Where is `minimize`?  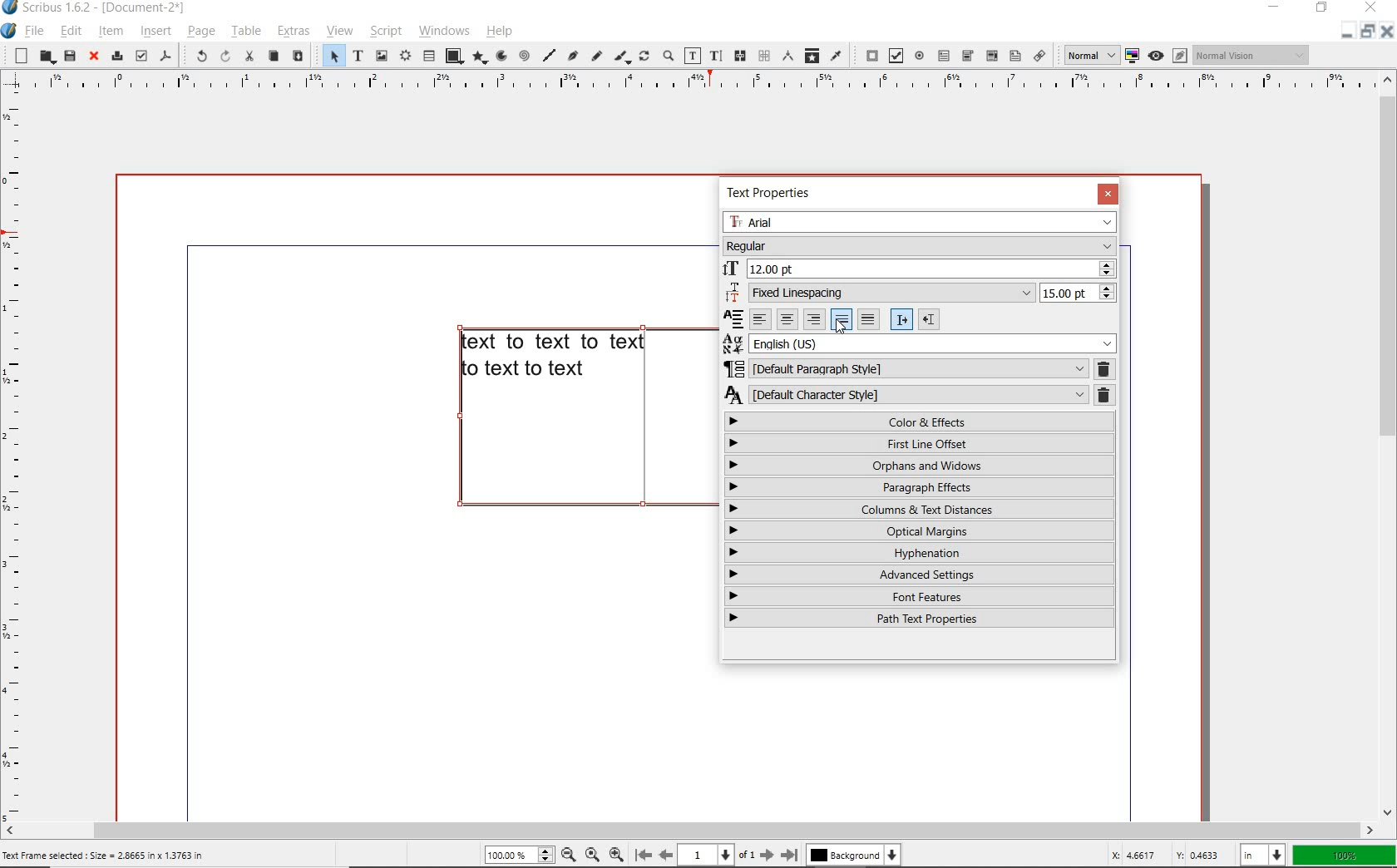
minimize is located at coordinates (1276, 8).